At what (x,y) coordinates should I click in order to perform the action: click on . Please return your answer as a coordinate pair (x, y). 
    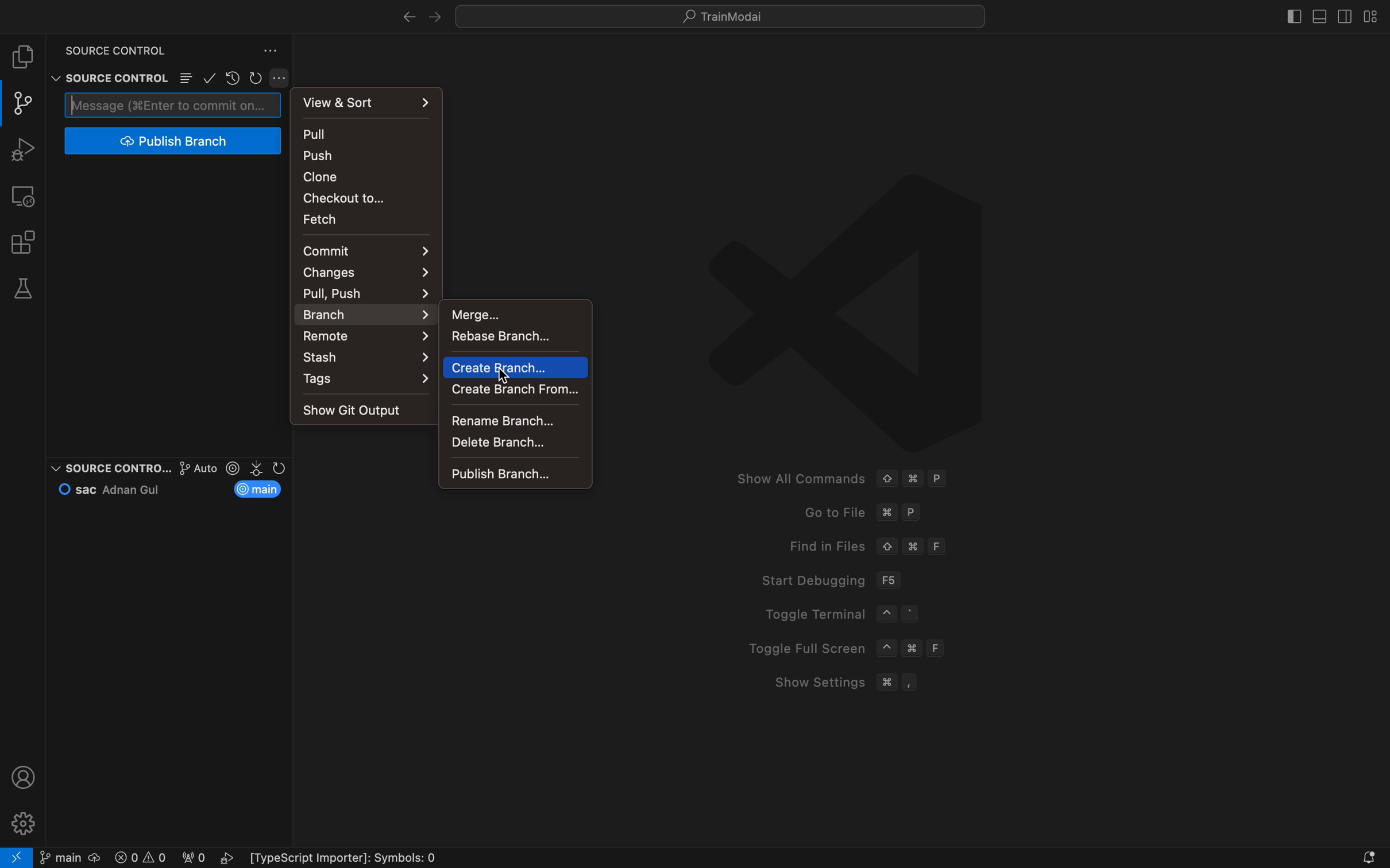
    Looking at the image, I should click on (367, 336).